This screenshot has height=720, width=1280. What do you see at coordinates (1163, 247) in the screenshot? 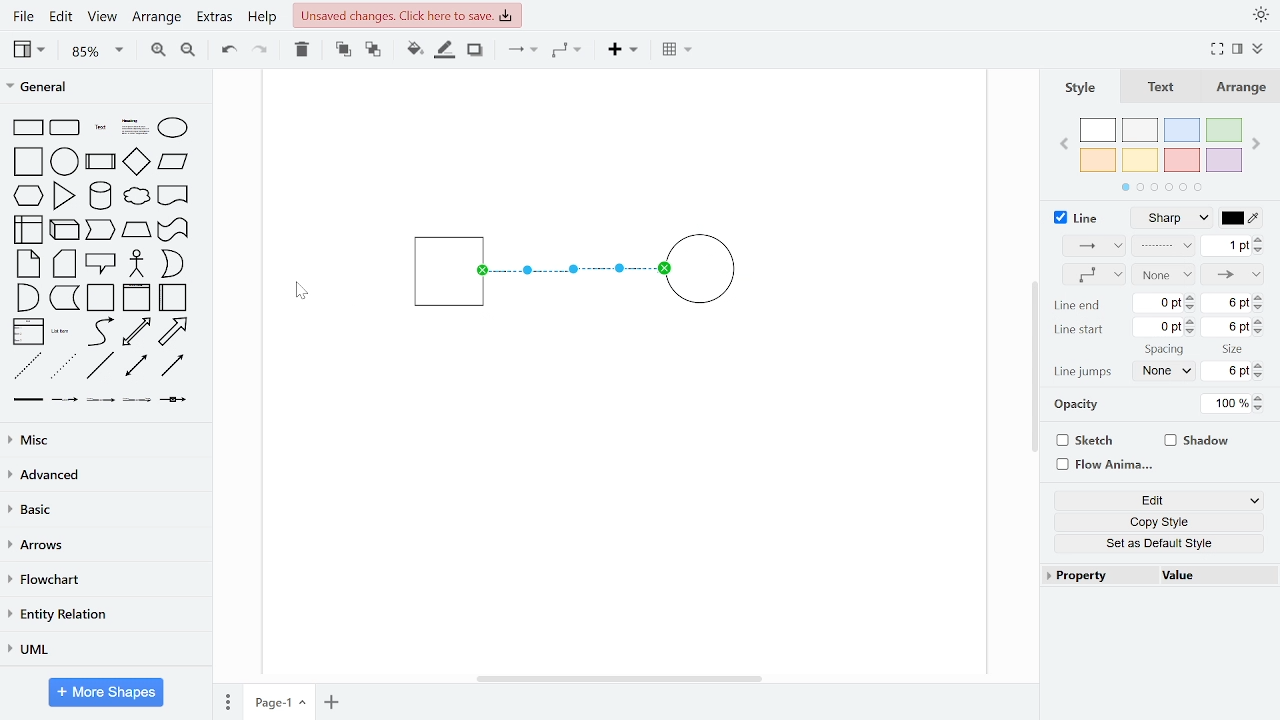
I see `pattern` at bounding box center [1163, 247].